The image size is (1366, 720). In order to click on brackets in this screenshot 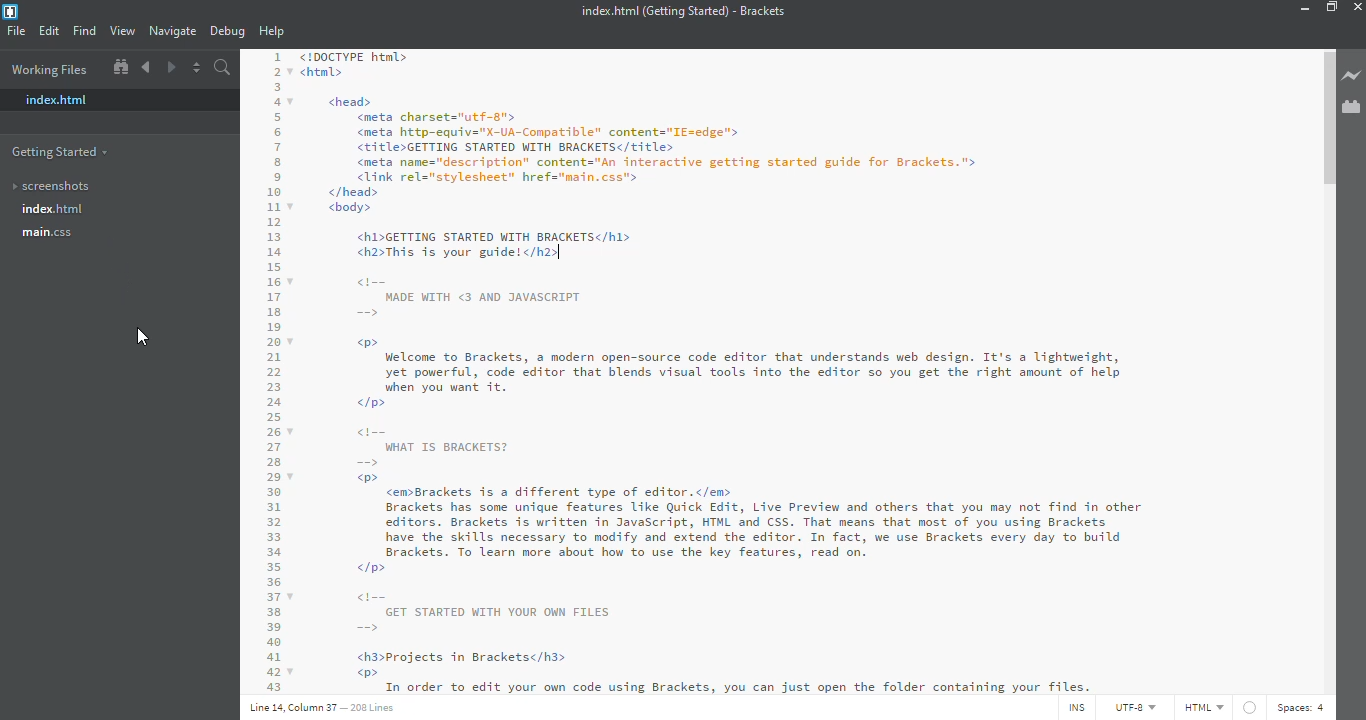, I will do `click(10, 12)`.